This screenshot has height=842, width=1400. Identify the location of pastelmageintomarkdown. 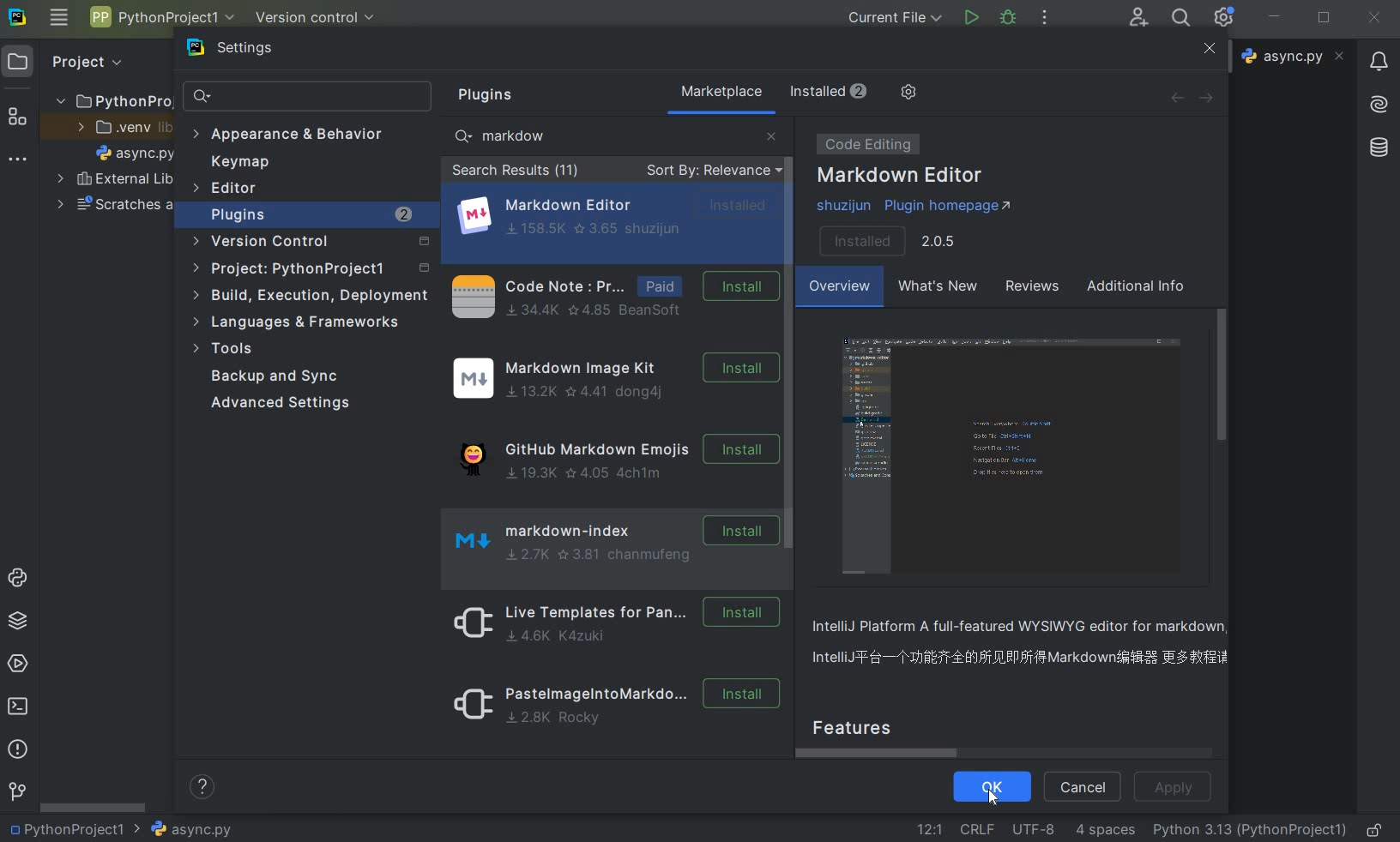
(611, 707).